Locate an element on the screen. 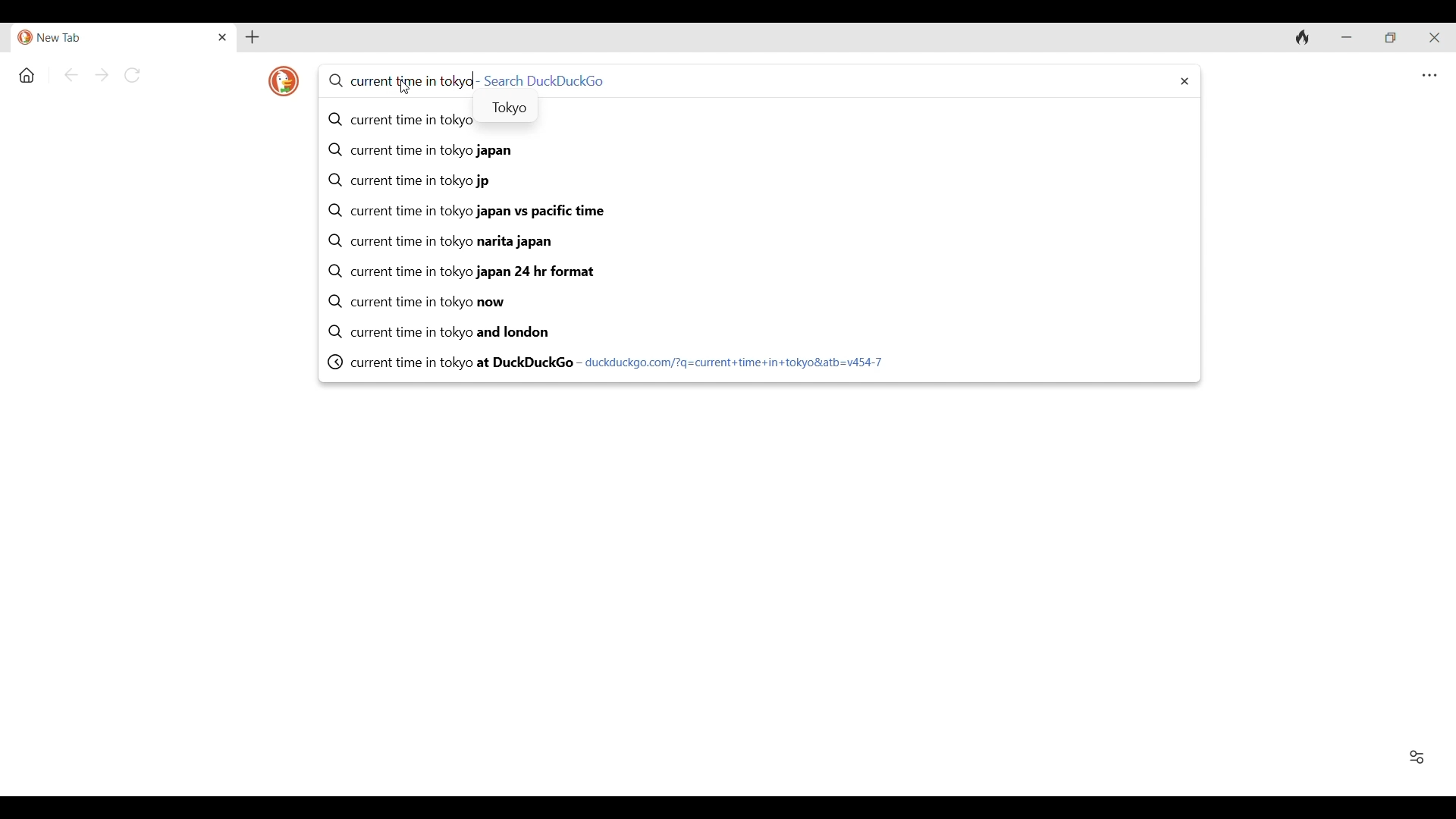 The image size is (1456, 819). current time in tokyo narita japan is located at coordinates (436, 242).